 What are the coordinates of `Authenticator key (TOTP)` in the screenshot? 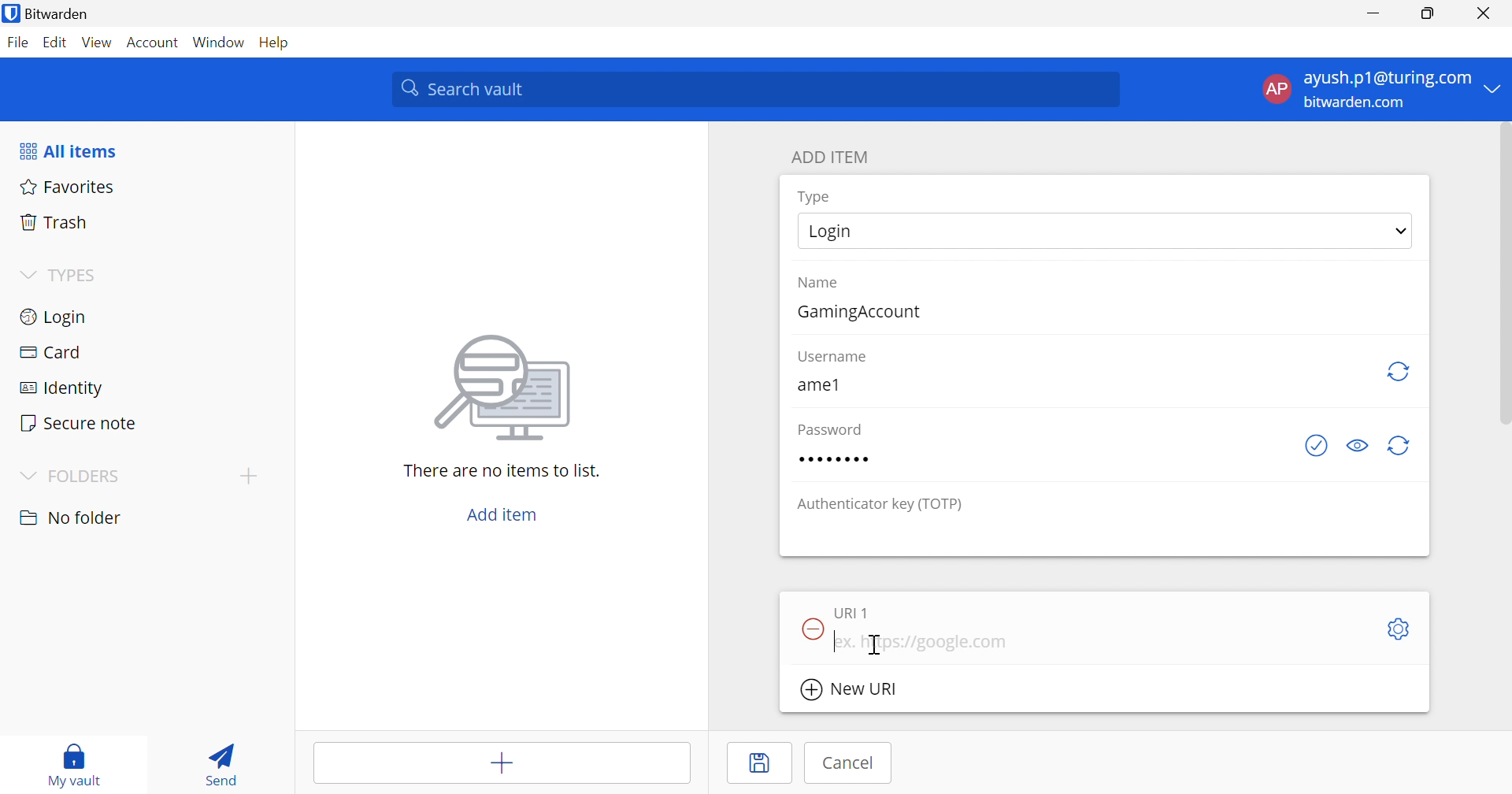 It's located at (884, 504).